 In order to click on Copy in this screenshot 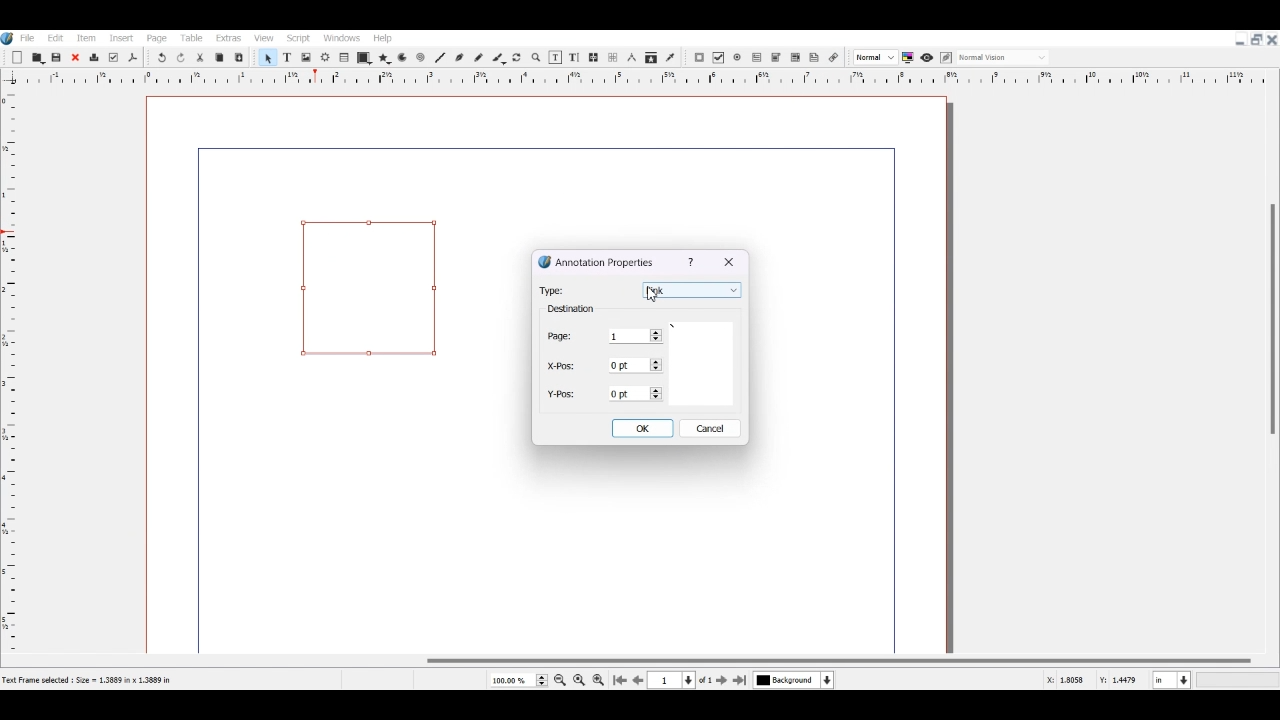, I will do `click(218, 57)`.